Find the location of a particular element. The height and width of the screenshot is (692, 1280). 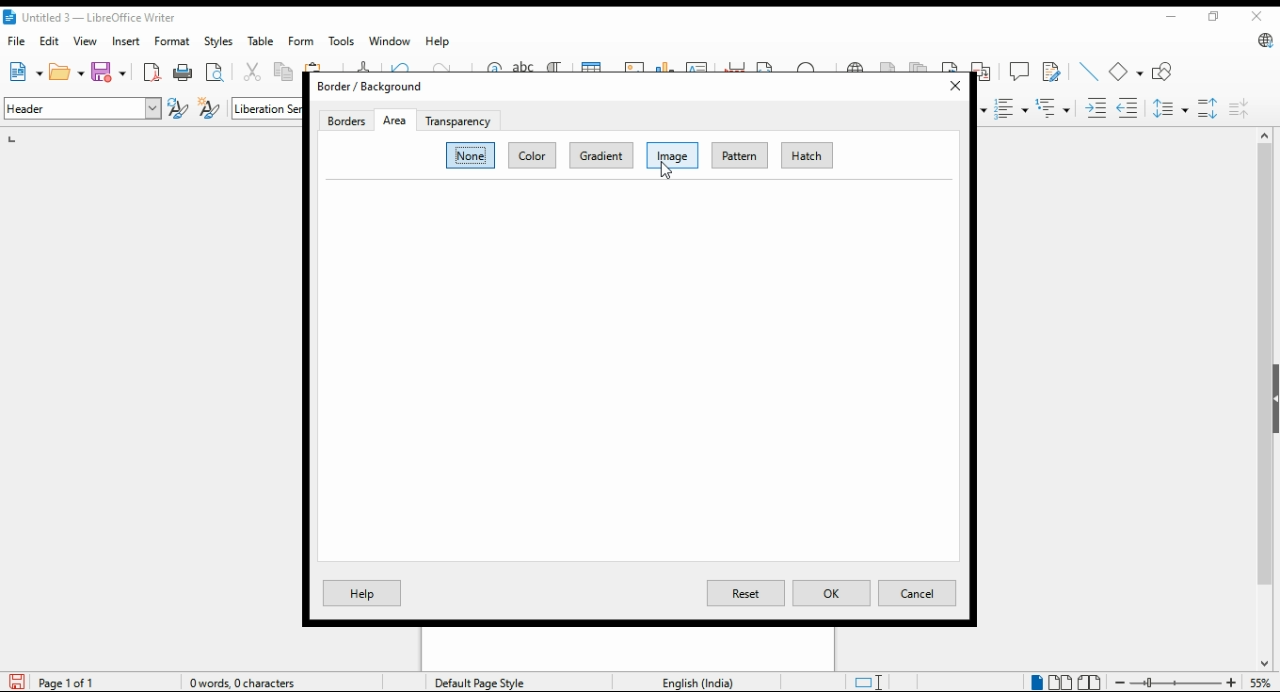

window is located at coordinates (390, 41).